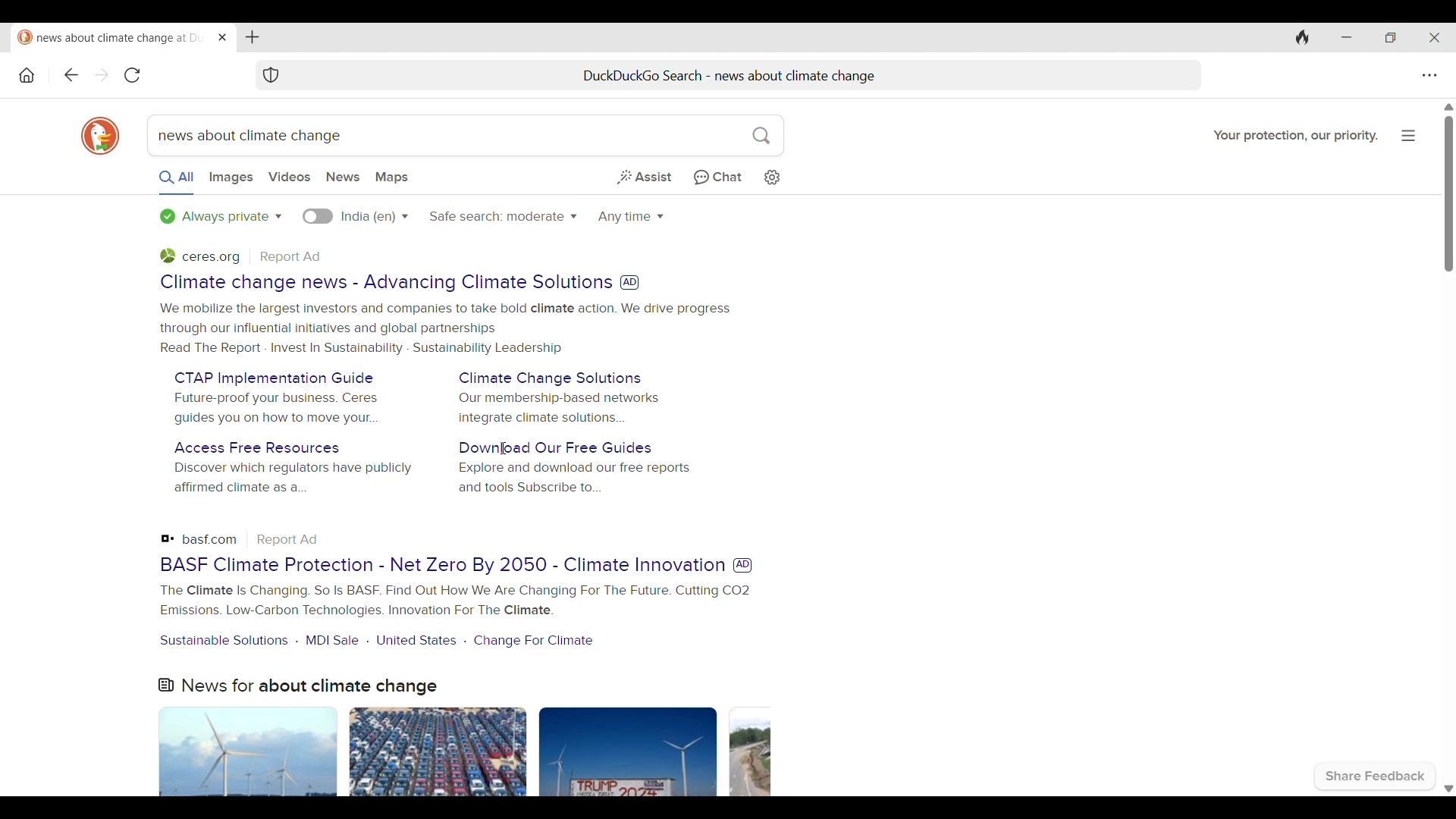 The width and height of the screenshot is (1456, 819). What do you see at coordinates (276, 408) in the screenshot?
I see `Future proof your business ceres guides you on how to move your` at bounding box center [276, 408].